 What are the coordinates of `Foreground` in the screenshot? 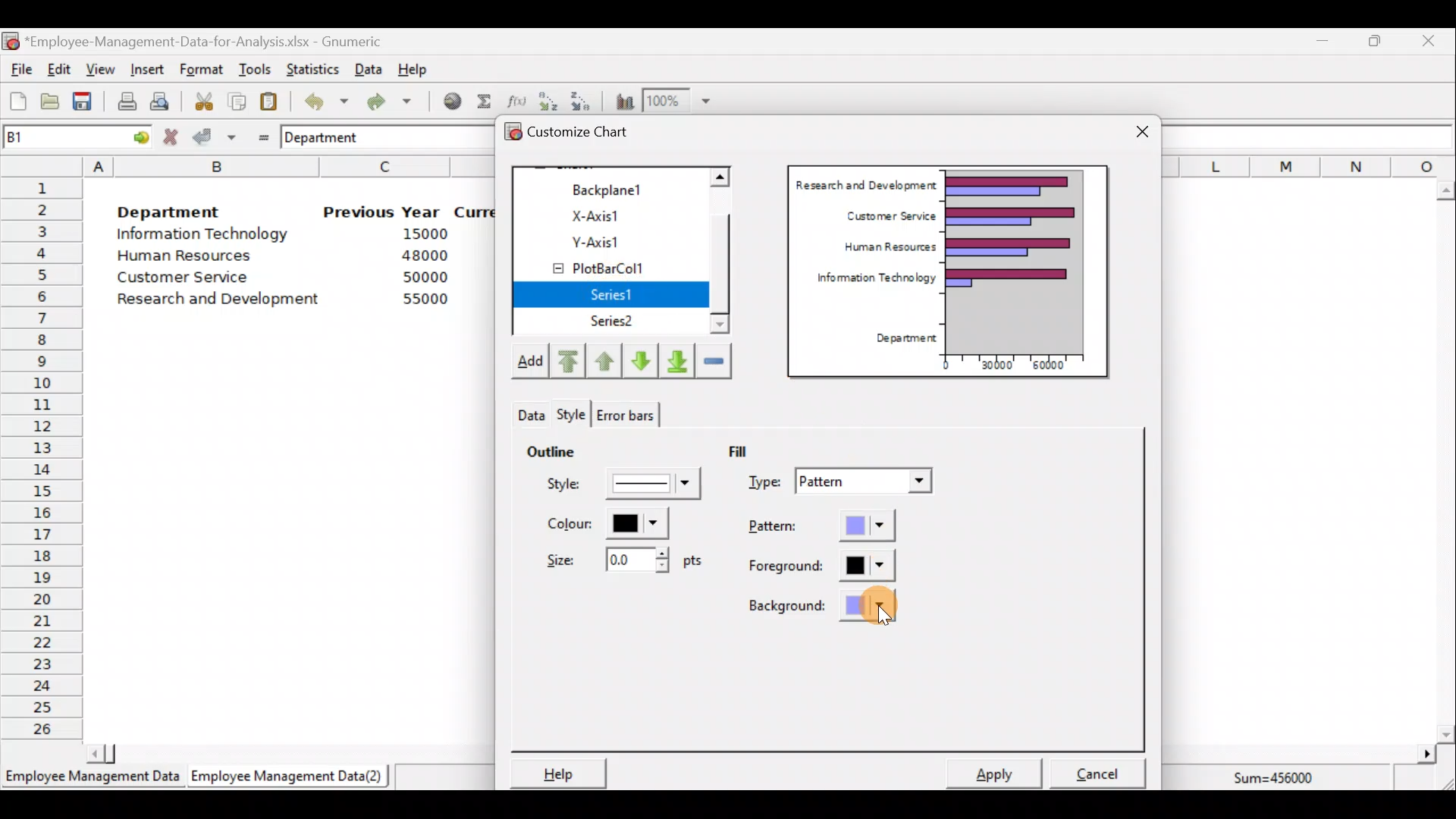 It's located at (823, 566).